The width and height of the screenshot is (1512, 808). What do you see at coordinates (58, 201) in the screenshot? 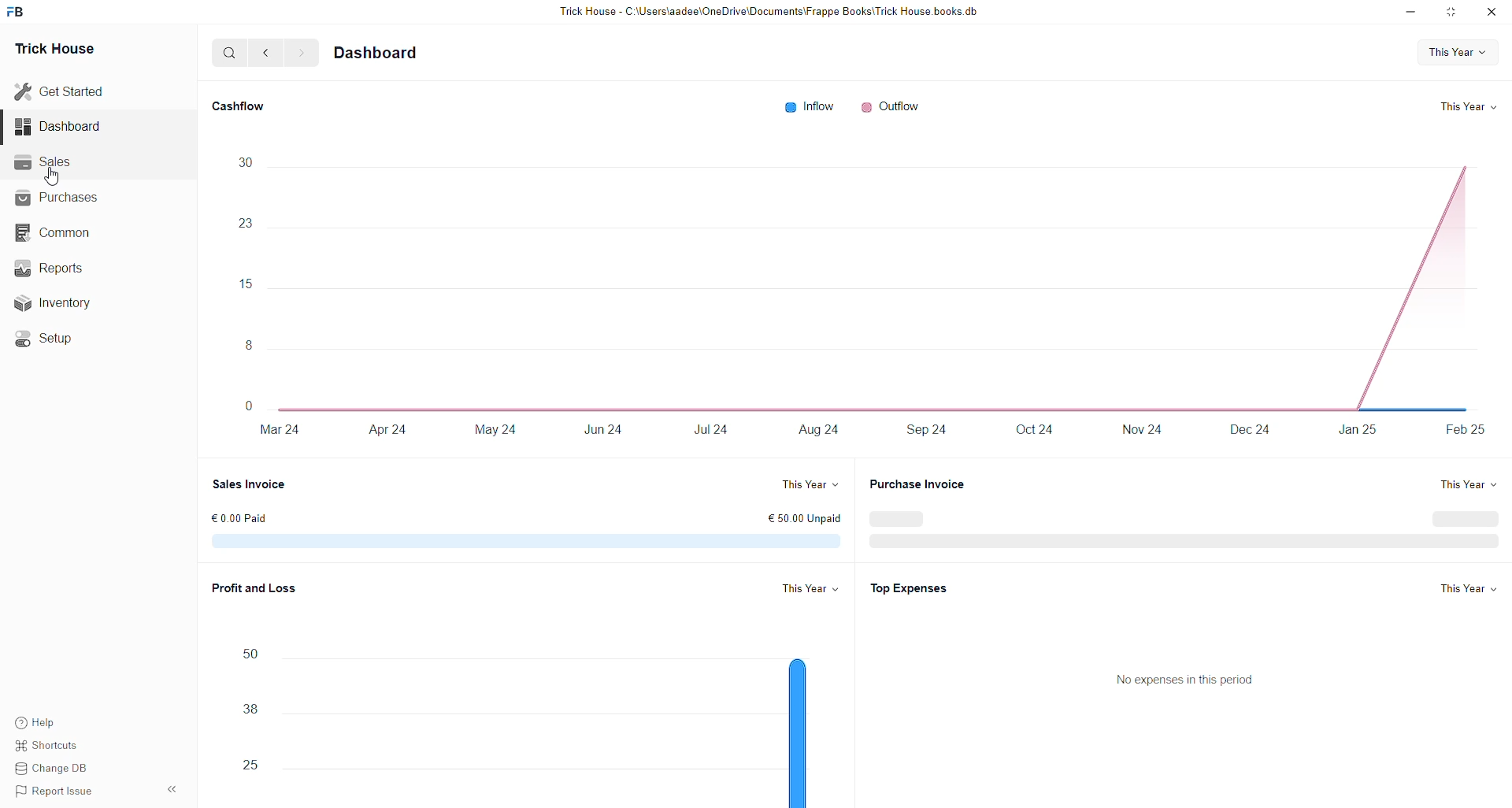
I see `Purchases` at bounding box center [58, 201].